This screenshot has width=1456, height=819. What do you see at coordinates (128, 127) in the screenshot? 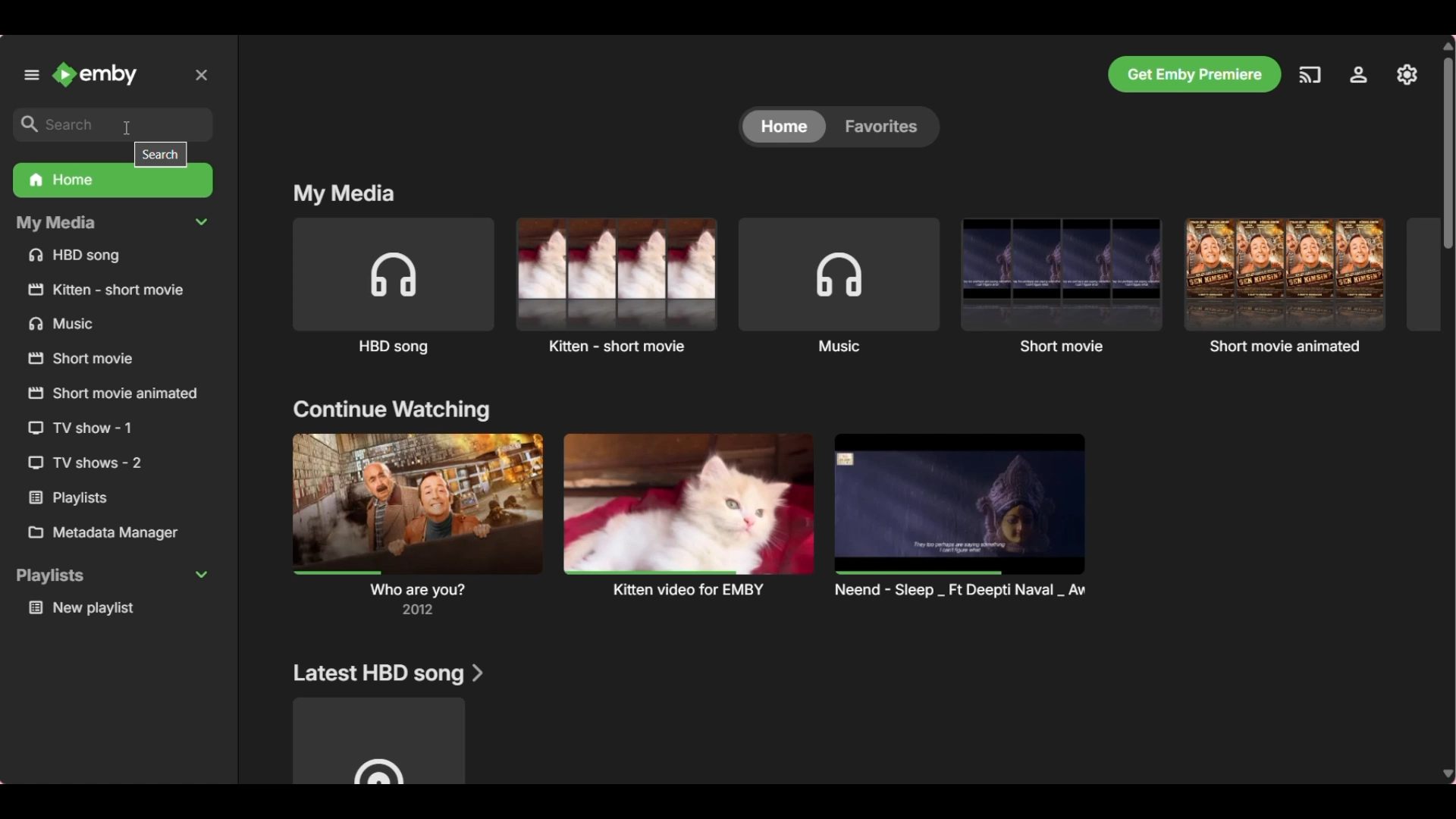
I see `cursor` at bounding box center [128, 127].